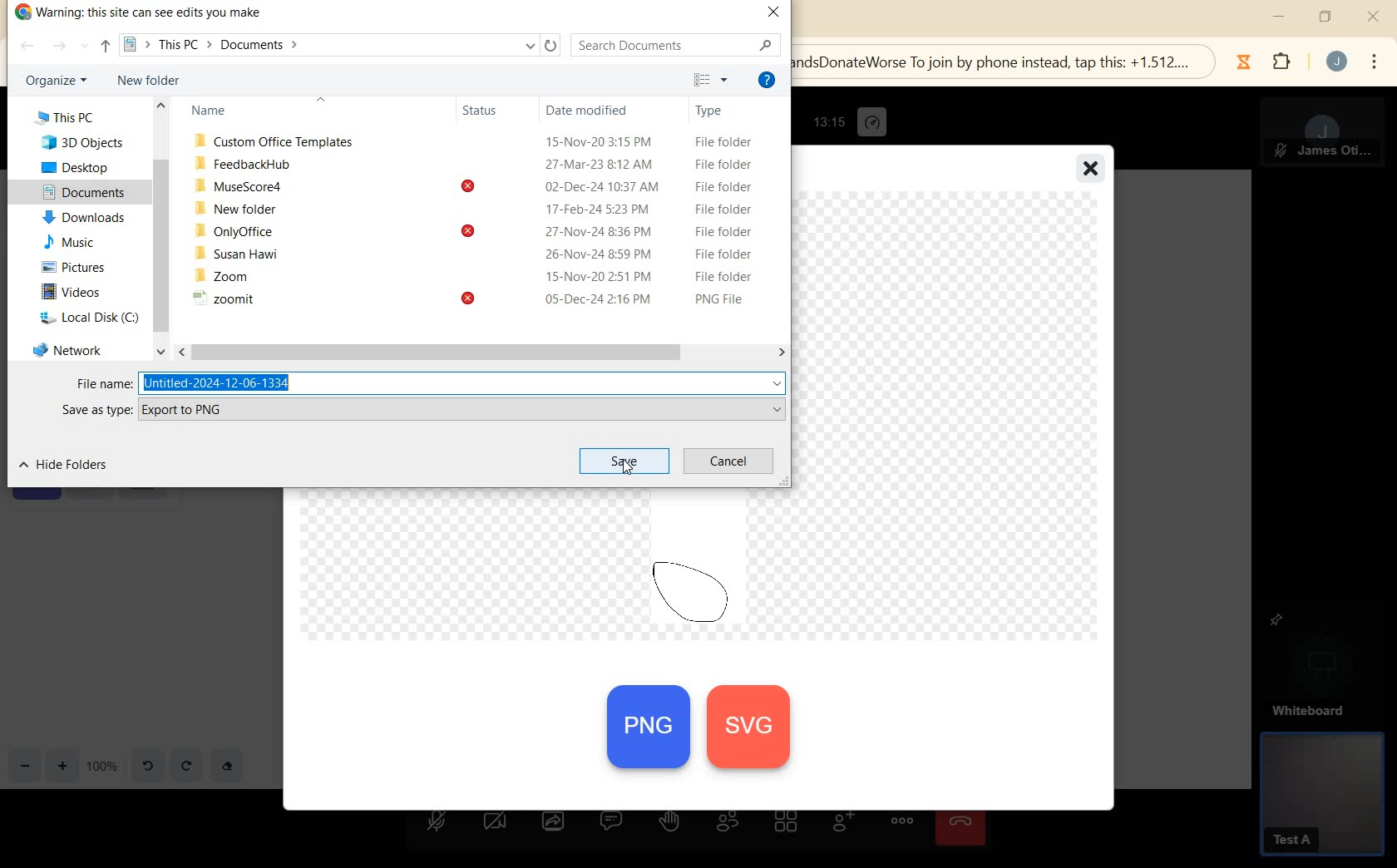 This screenshot has width=1397, height=868. What do you see at coordinates (269, 161) in the screenshot?
I see `FeedbackHub 27-Mar-23 8:12 AM File folder` at bounding box center [269, 161].